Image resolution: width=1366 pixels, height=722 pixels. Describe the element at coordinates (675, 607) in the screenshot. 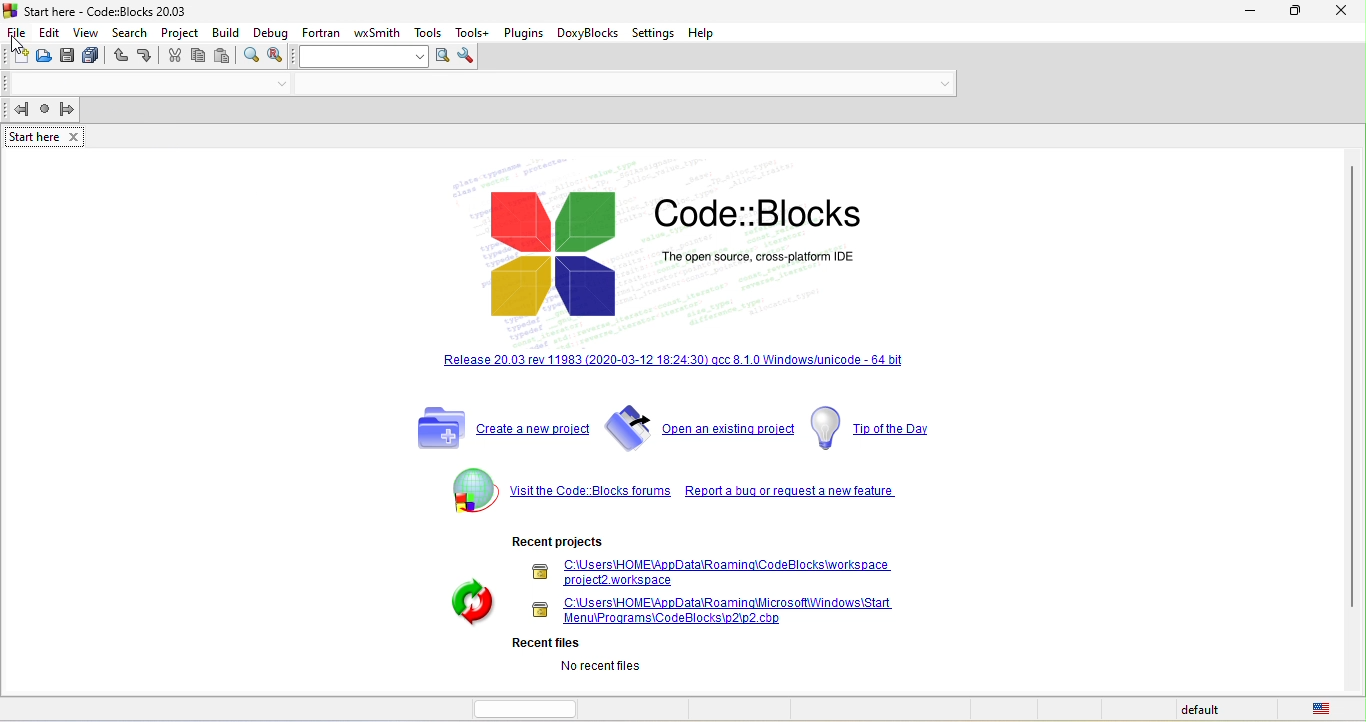

I see `Recent projects C:\Users\HOME\AppDataRoamingCodeBlocks\workspaceproject2.workspace C:\Users\HOMEWpIDataRoamingMicrosoftWindows StartMenuPrograms\CodeBlocks\p2ip2.cop Recent files. No recent files.` at that location.